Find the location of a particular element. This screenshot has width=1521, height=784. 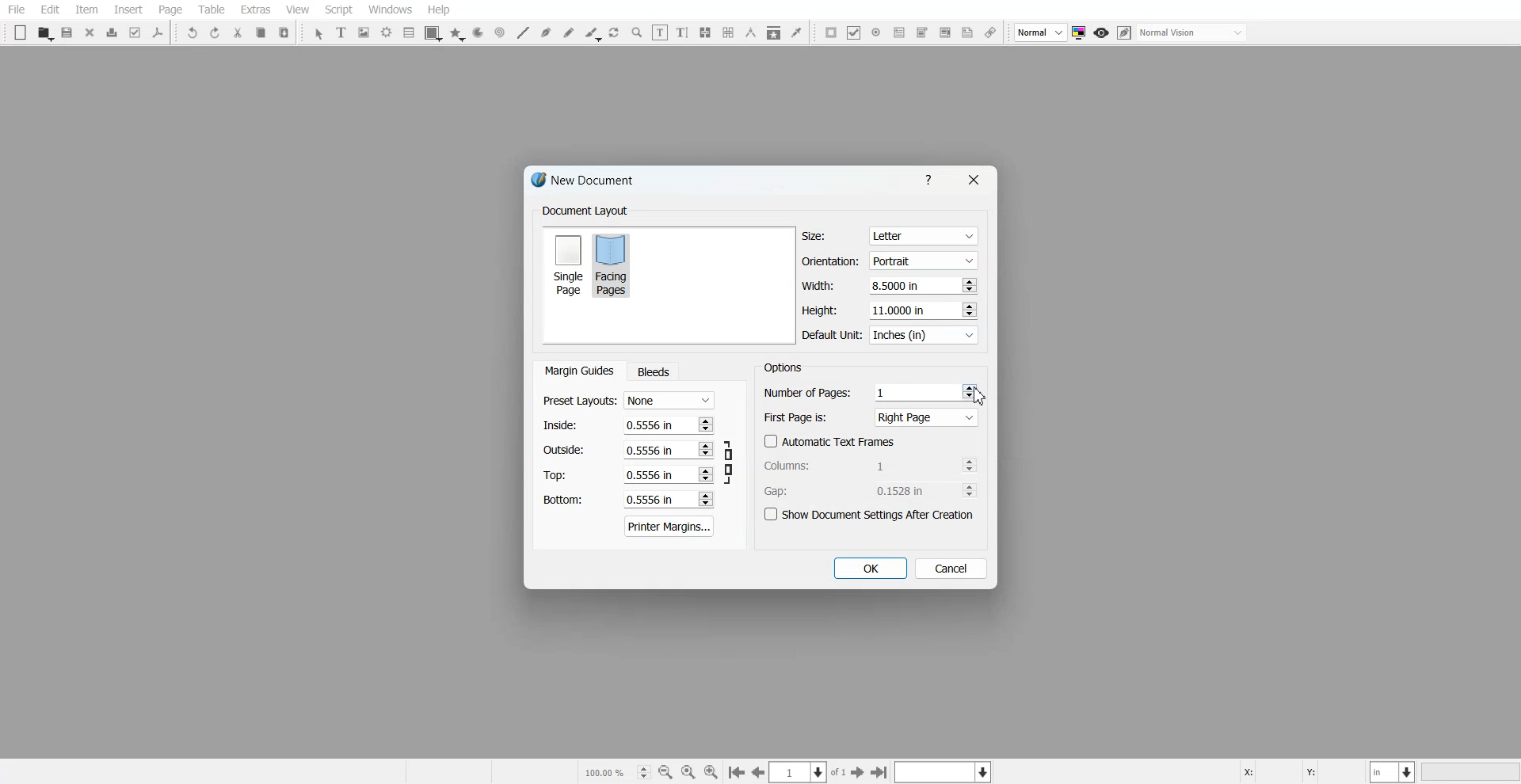

Table is located at coordinates (211, 10).